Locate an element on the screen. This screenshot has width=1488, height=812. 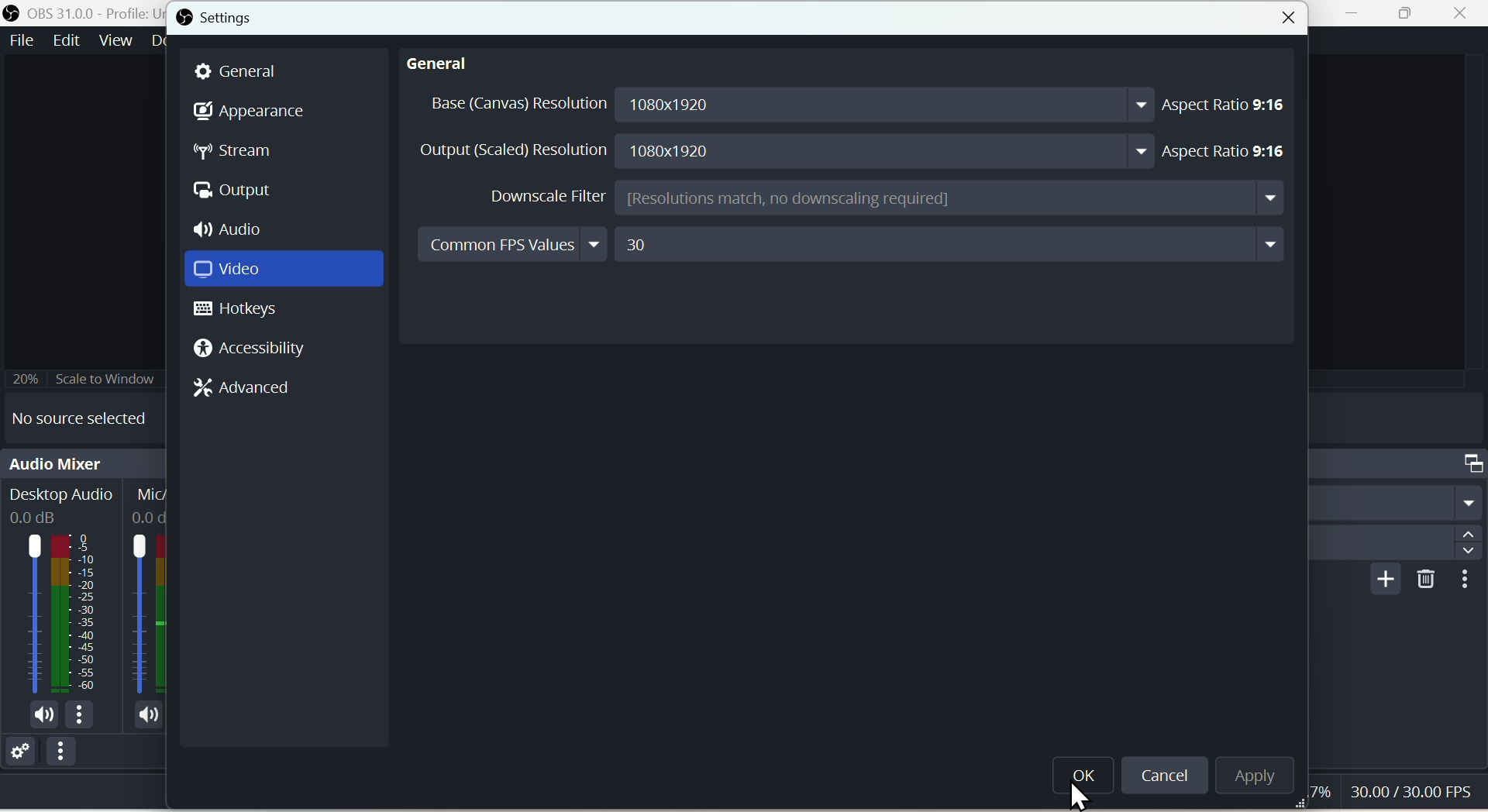
Cursor is located at coordinates (1083, 796).